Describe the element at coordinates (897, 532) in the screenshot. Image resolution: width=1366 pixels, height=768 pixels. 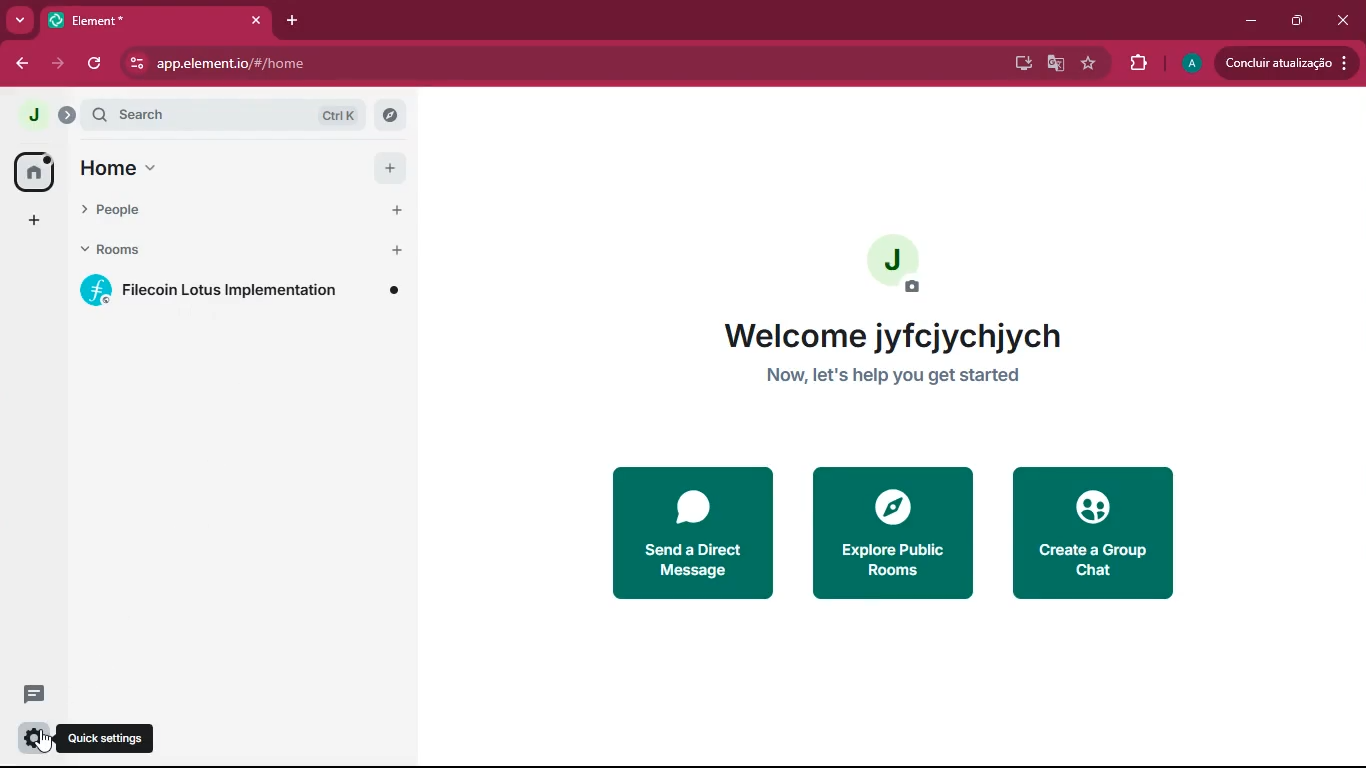
I see `explore` at that location.